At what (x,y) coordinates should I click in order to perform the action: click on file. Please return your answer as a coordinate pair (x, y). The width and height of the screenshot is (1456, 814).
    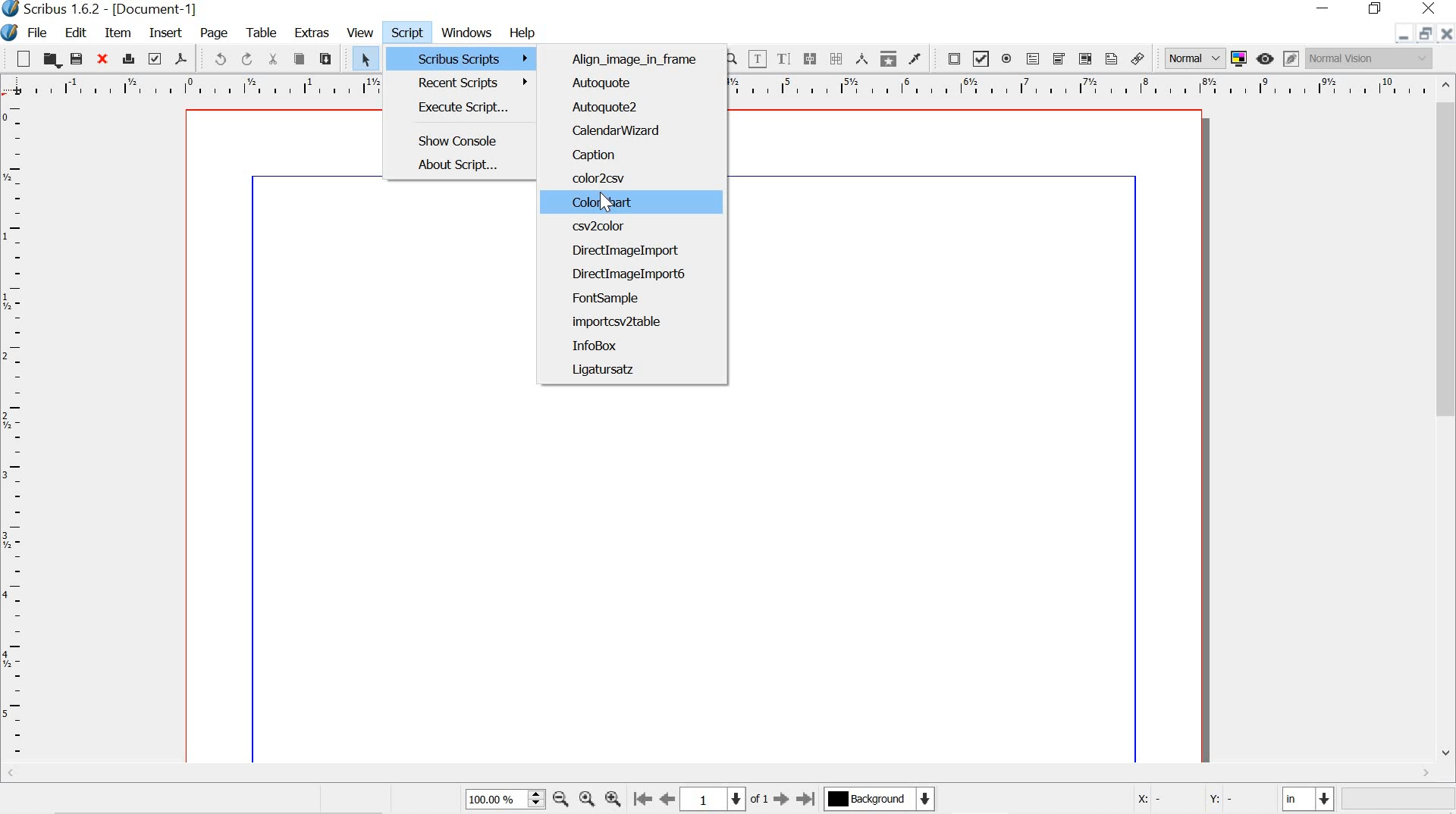
    Looking at the image, I should click on (39, 34).